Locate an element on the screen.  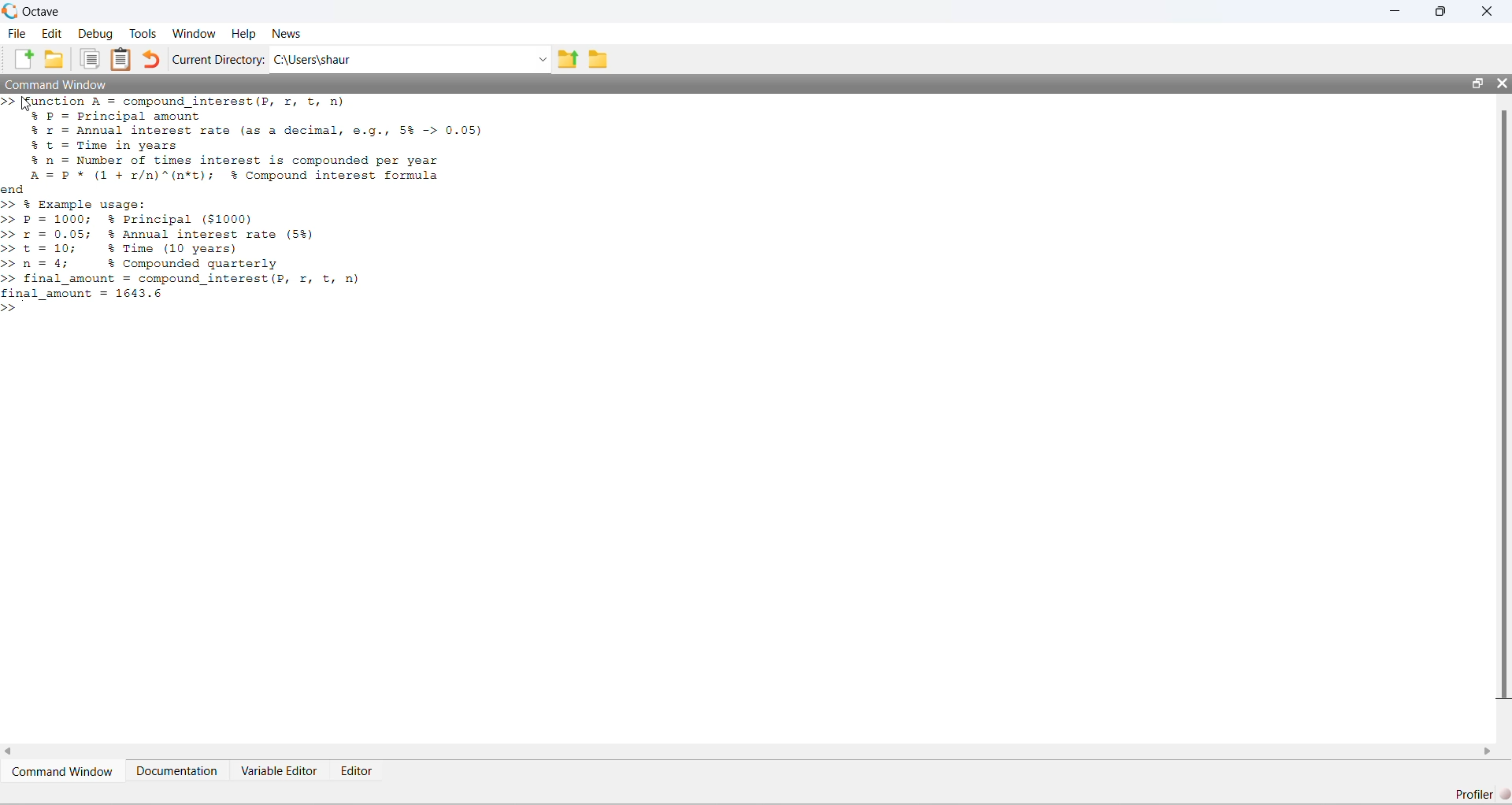
Minimize is located at coordinates (1396, 10).